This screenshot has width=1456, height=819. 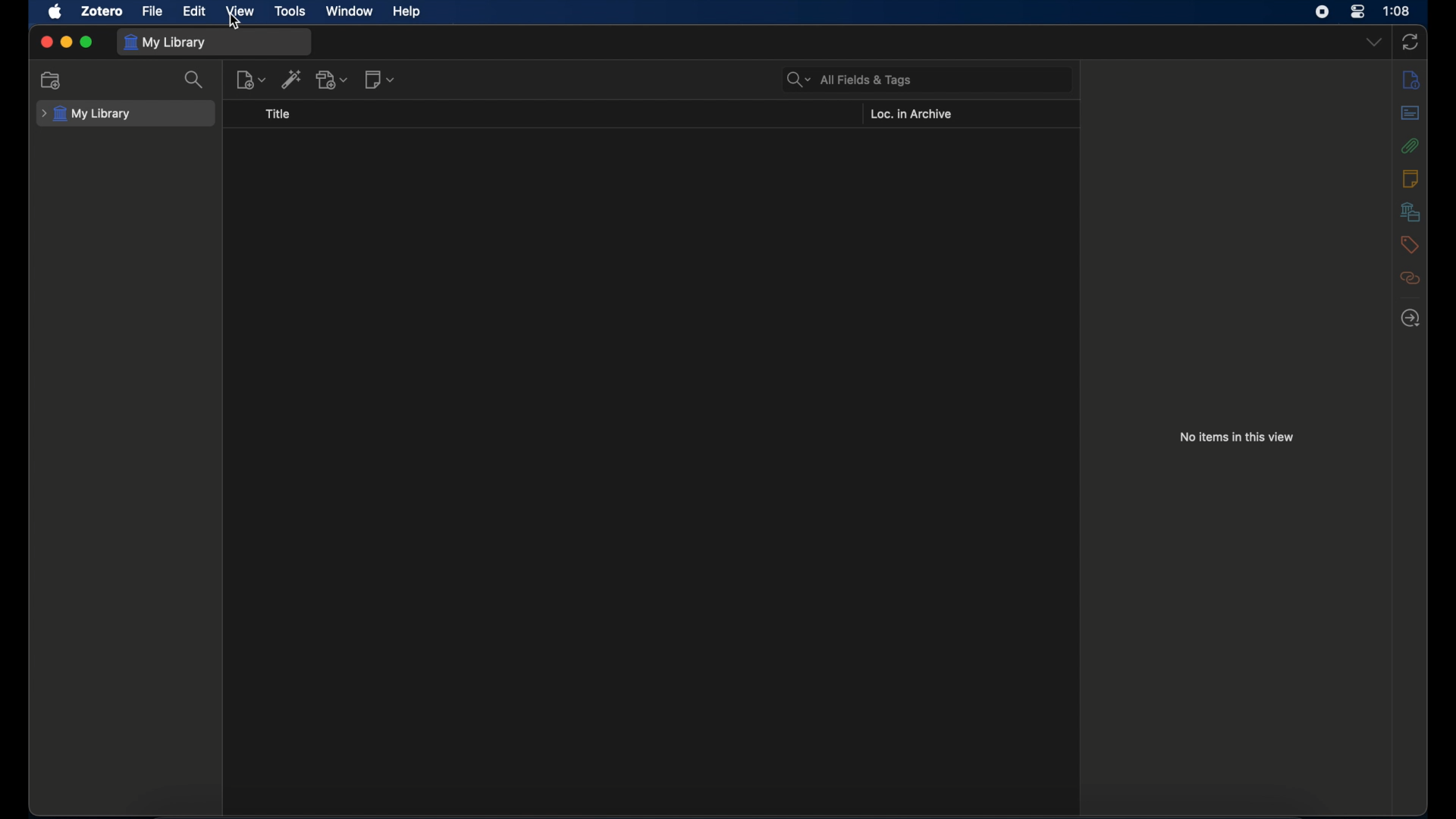 I want to click on maximize, so click(x=86, y=42).